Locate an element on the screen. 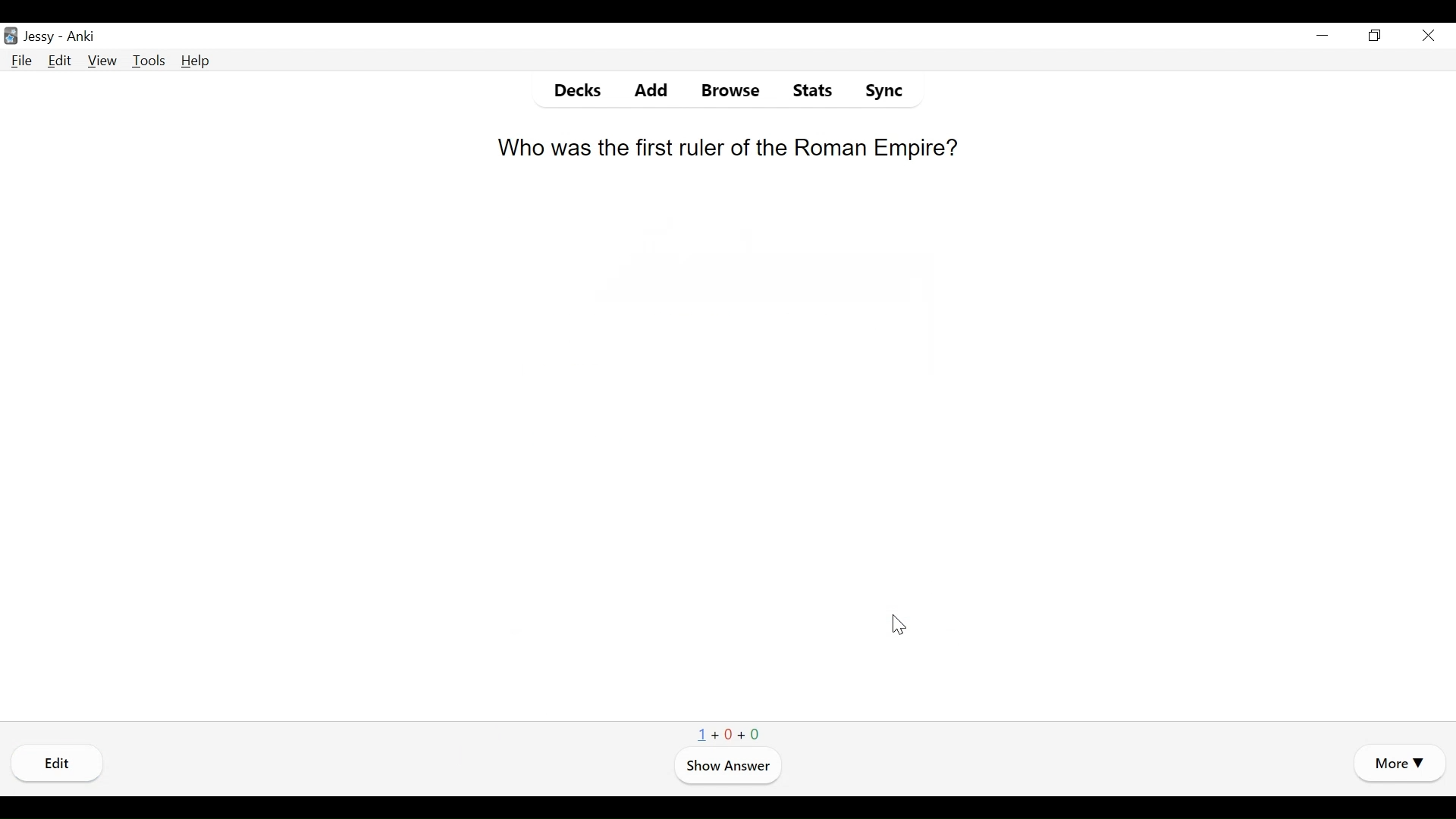 This screenshot has width=1456, height=819. 1+0+0 is located at coordinates (730, 732).